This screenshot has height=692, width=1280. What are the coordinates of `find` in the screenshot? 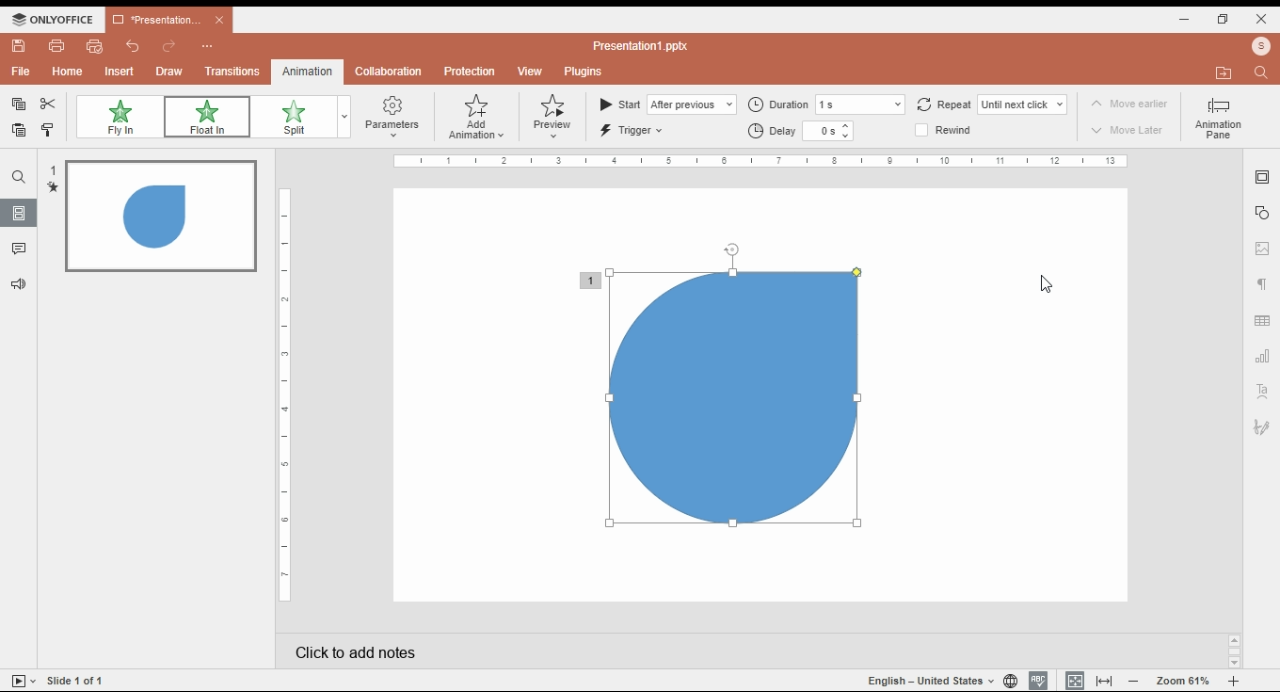 It's located at (19, 177).